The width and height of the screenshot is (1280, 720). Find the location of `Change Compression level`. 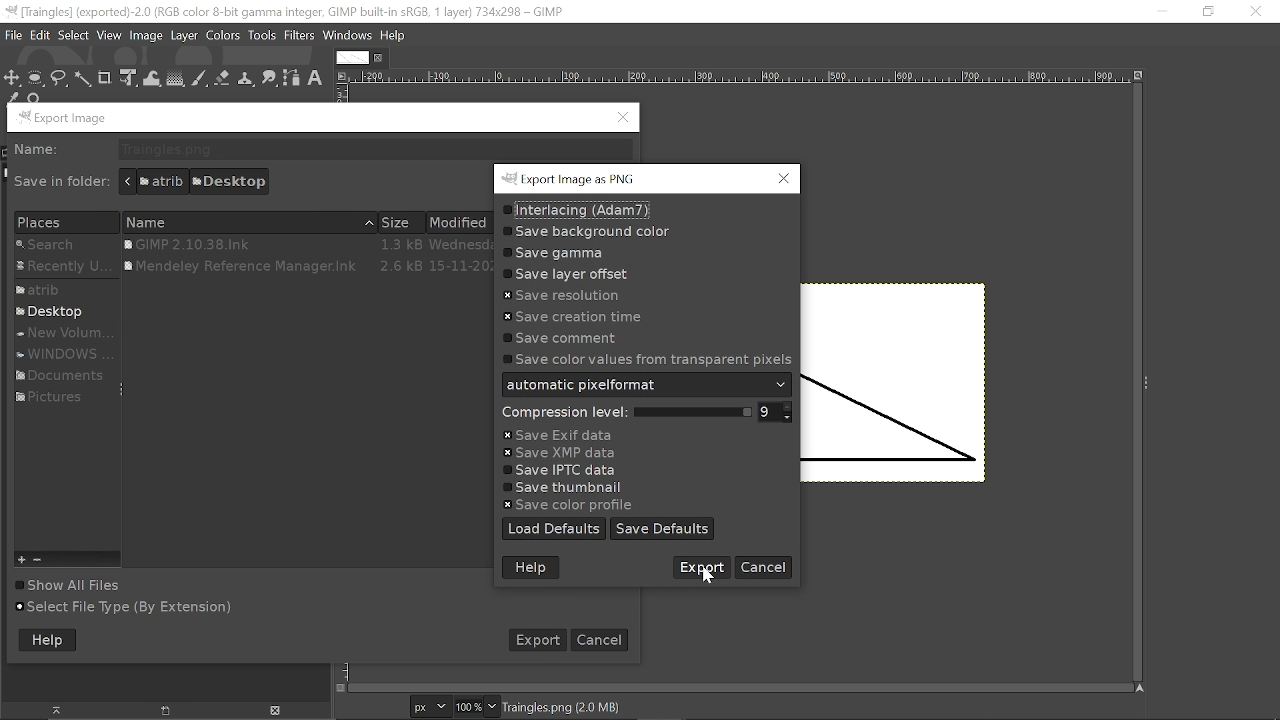

Change Compression level is located at coordinates (623, 413).